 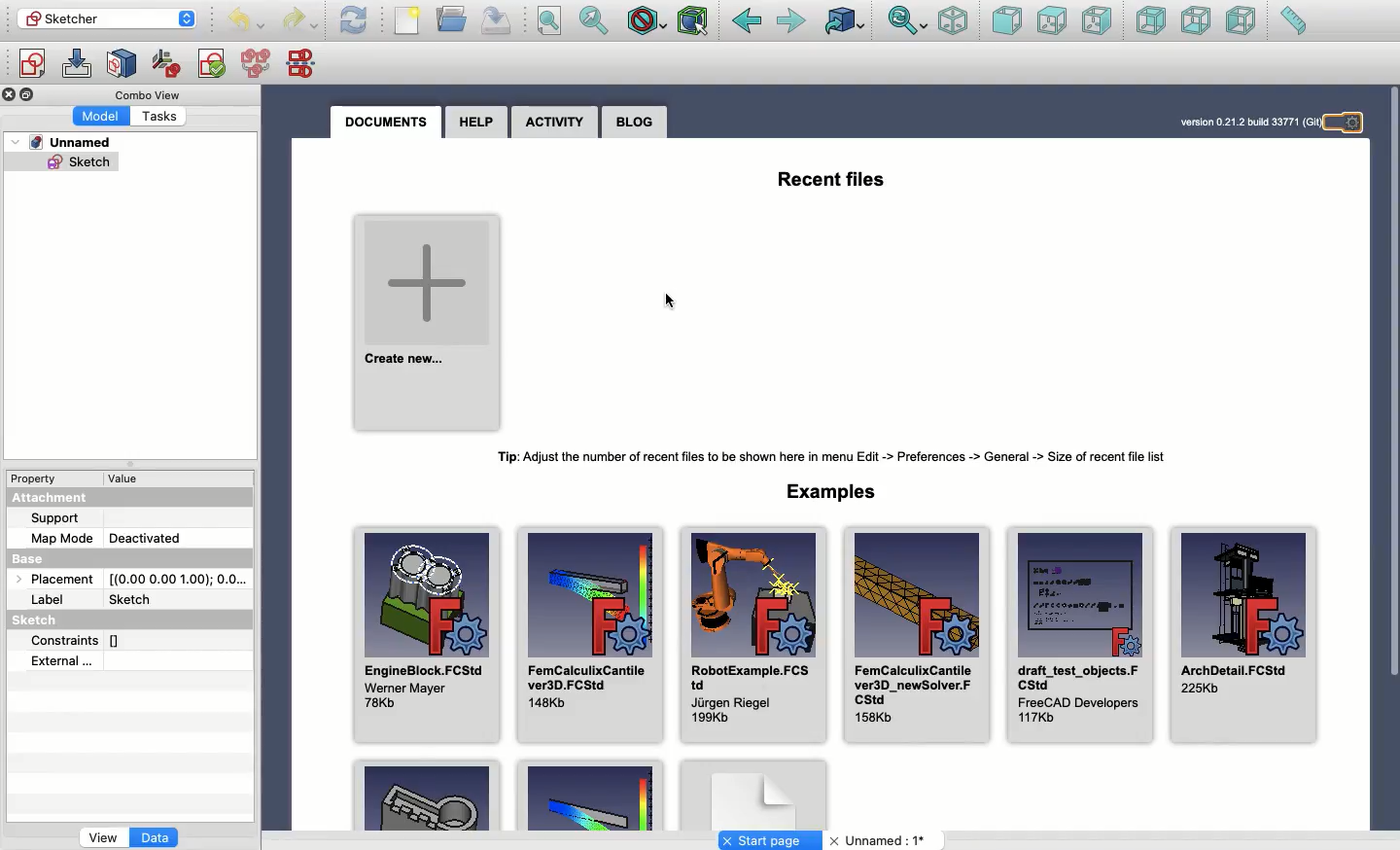 I want to click on Support, so click(x=60, y=517).